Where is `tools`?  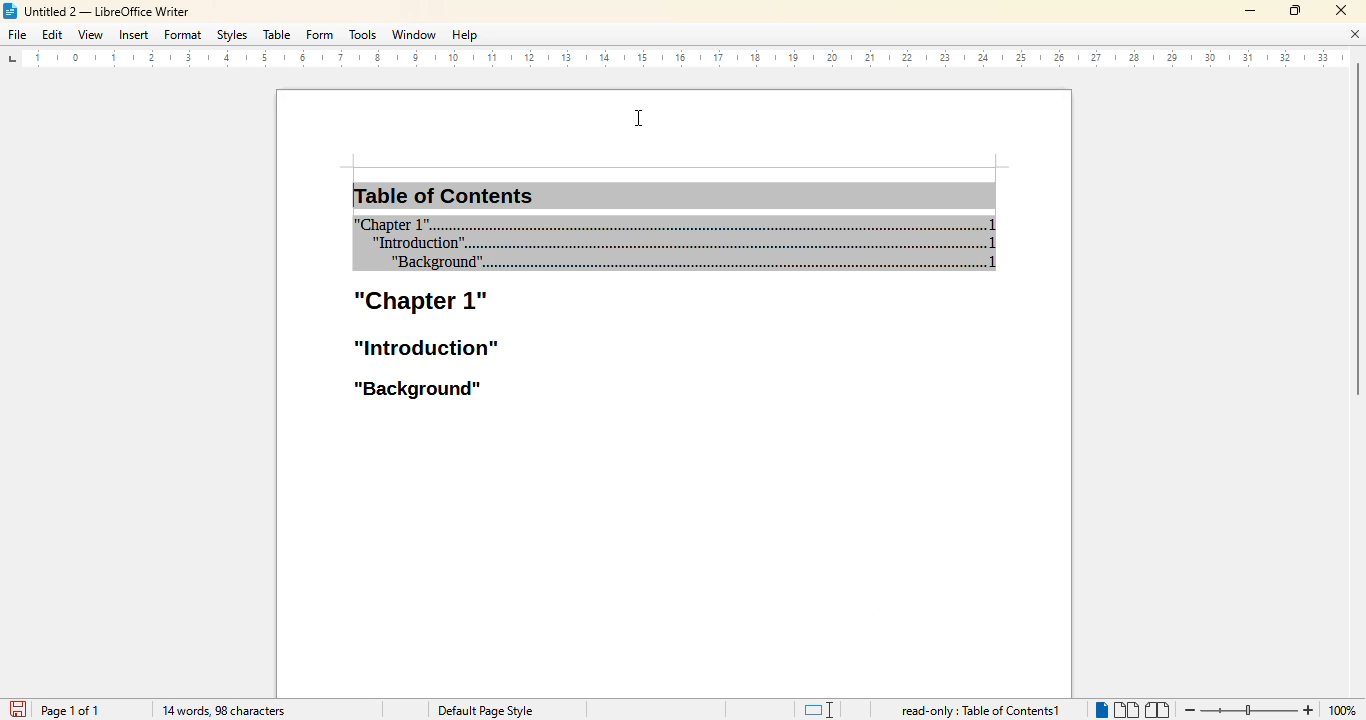
tools is located at coordinates (362, 34).